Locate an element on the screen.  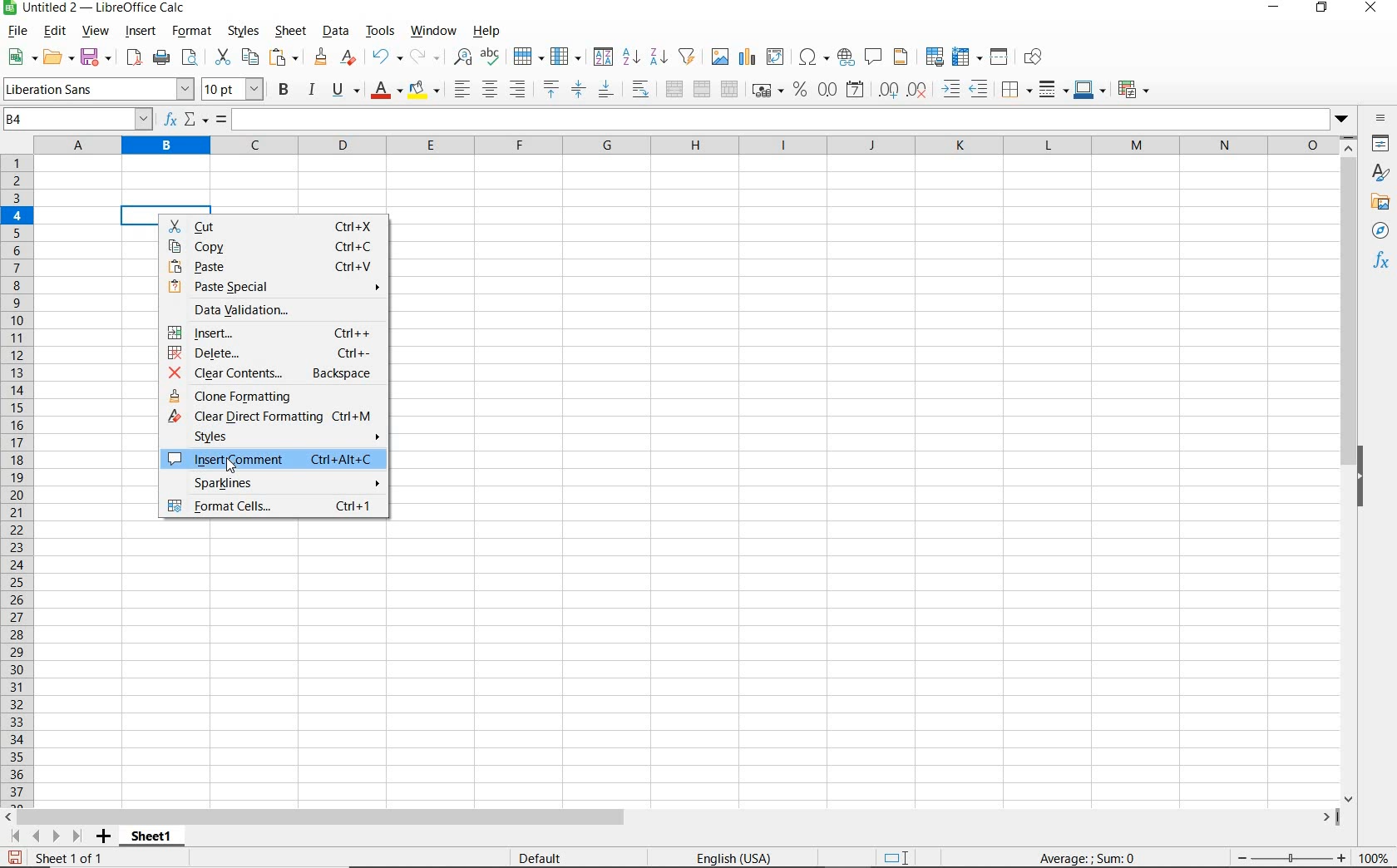
standard selection is located at coordinates (892, 857).